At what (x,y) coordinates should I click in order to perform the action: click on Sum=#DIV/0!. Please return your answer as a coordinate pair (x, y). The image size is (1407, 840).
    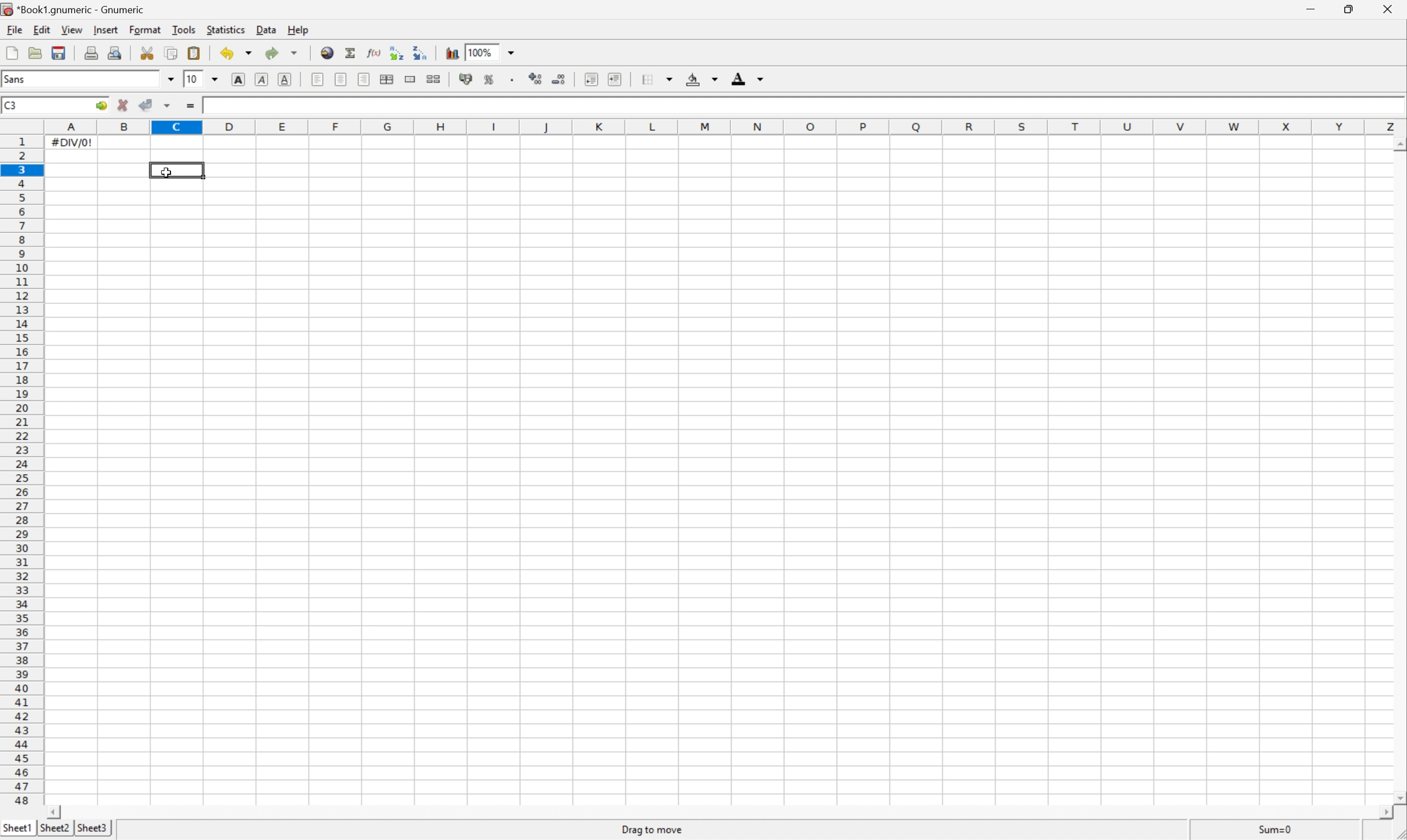
    Looking at the image, I should click on (1272, 827).